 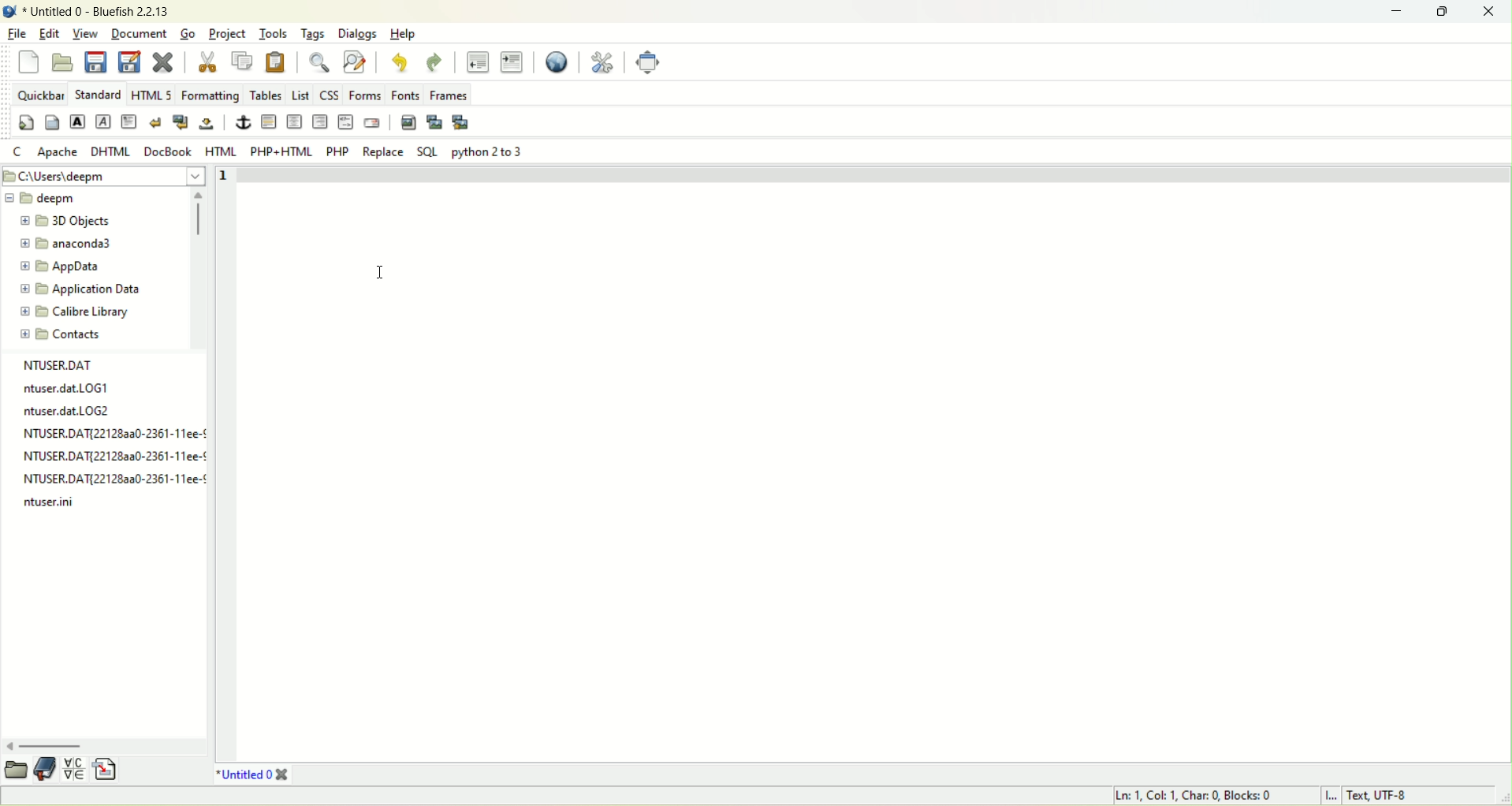 I want to click on dialogs, so click(x=358, y=35).